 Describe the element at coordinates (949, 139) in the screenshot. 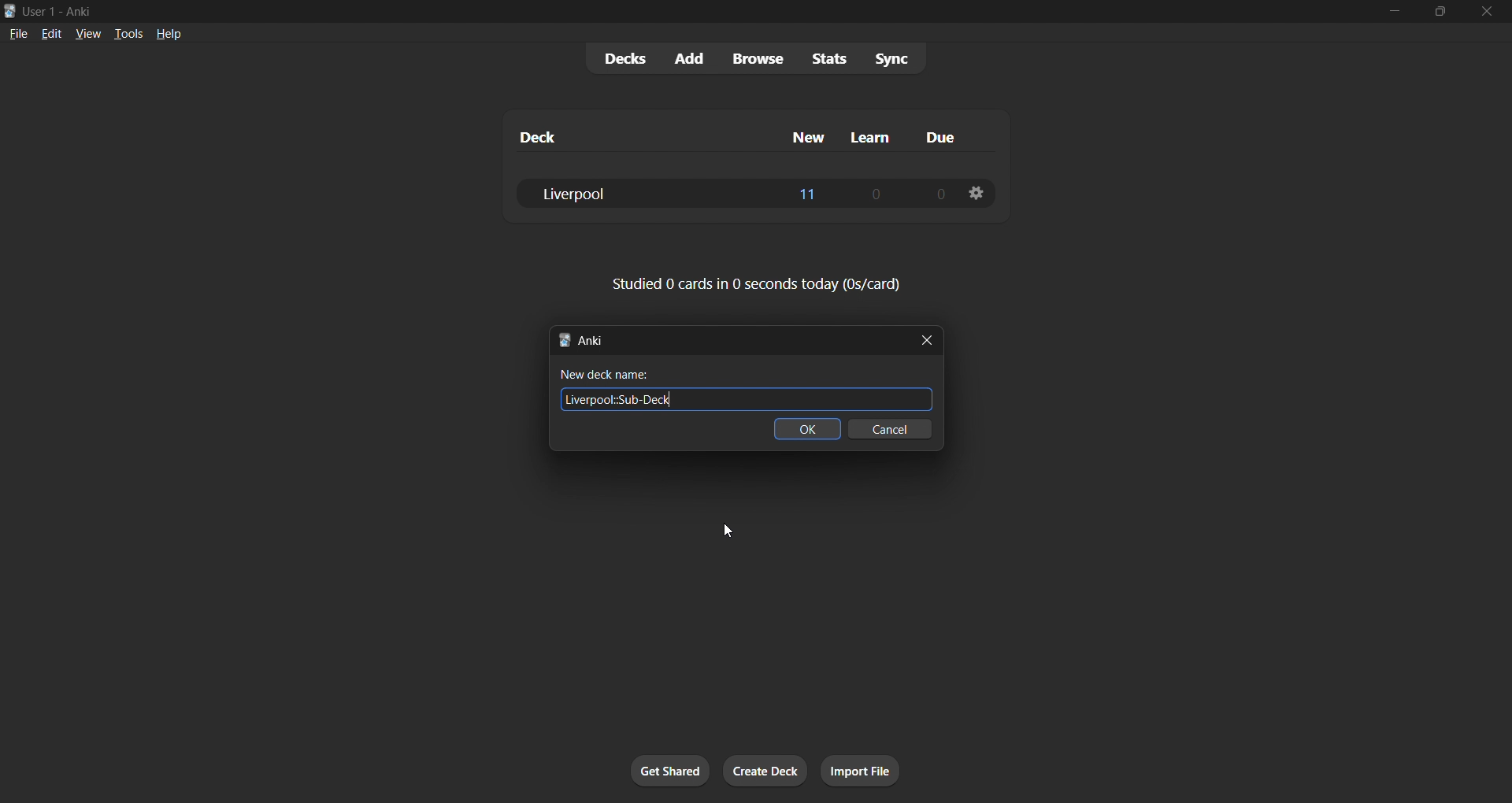

I see `due column` at that location.